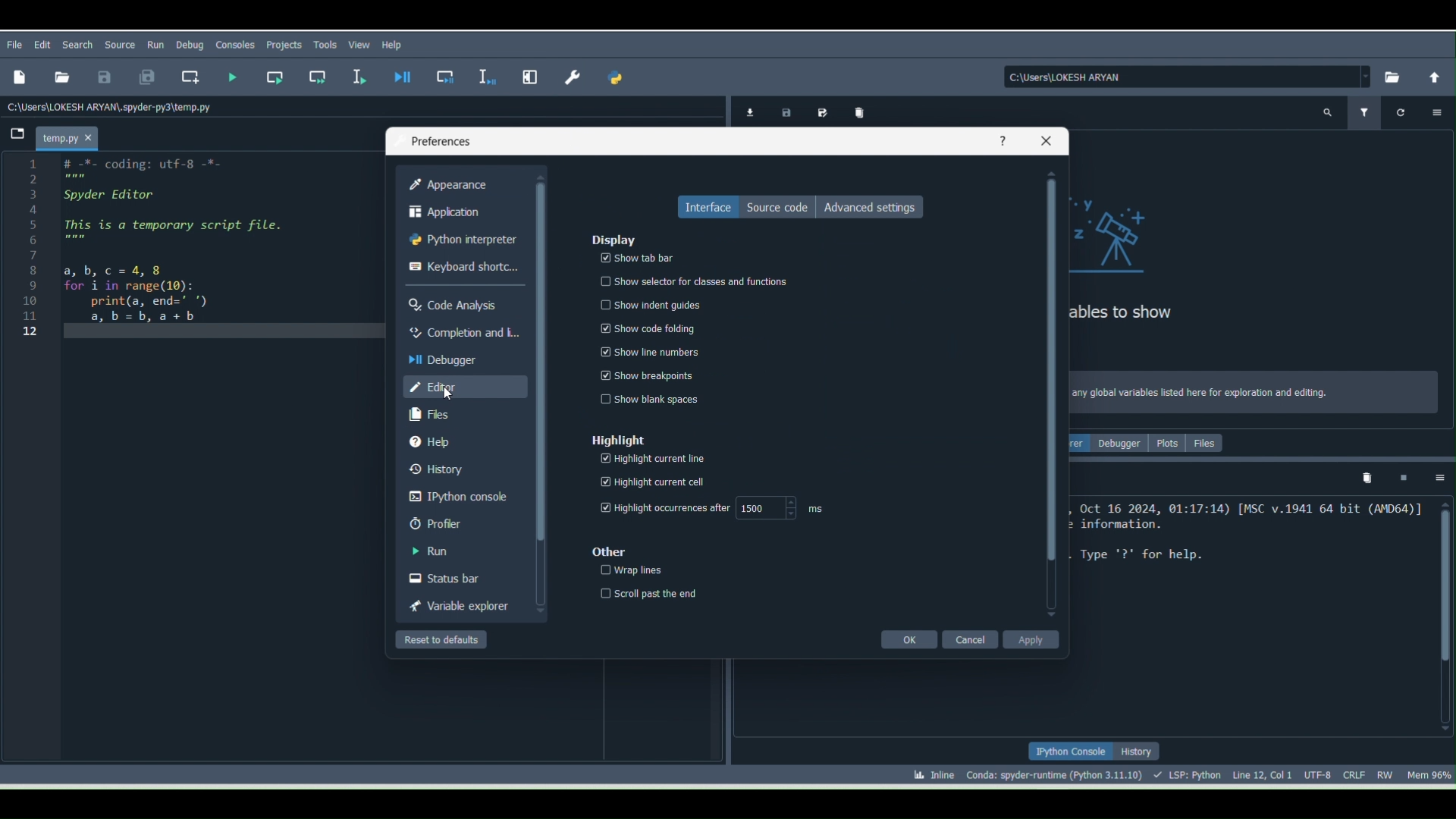  Describe the element at coordinates (1428, 772) in the screenshot. I see `Global memory usage` at that location.